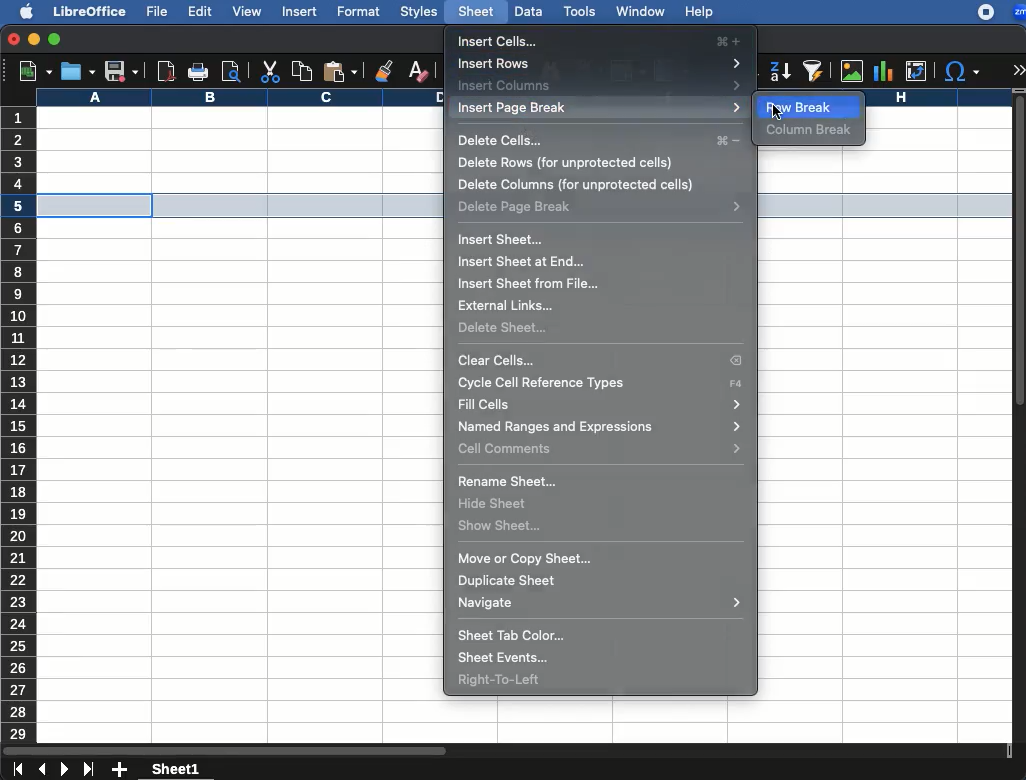 This screenshot has width=1026, height=780. Describe the element at coordinates (223, 206) in the screenshot. I see `selected` at that location.